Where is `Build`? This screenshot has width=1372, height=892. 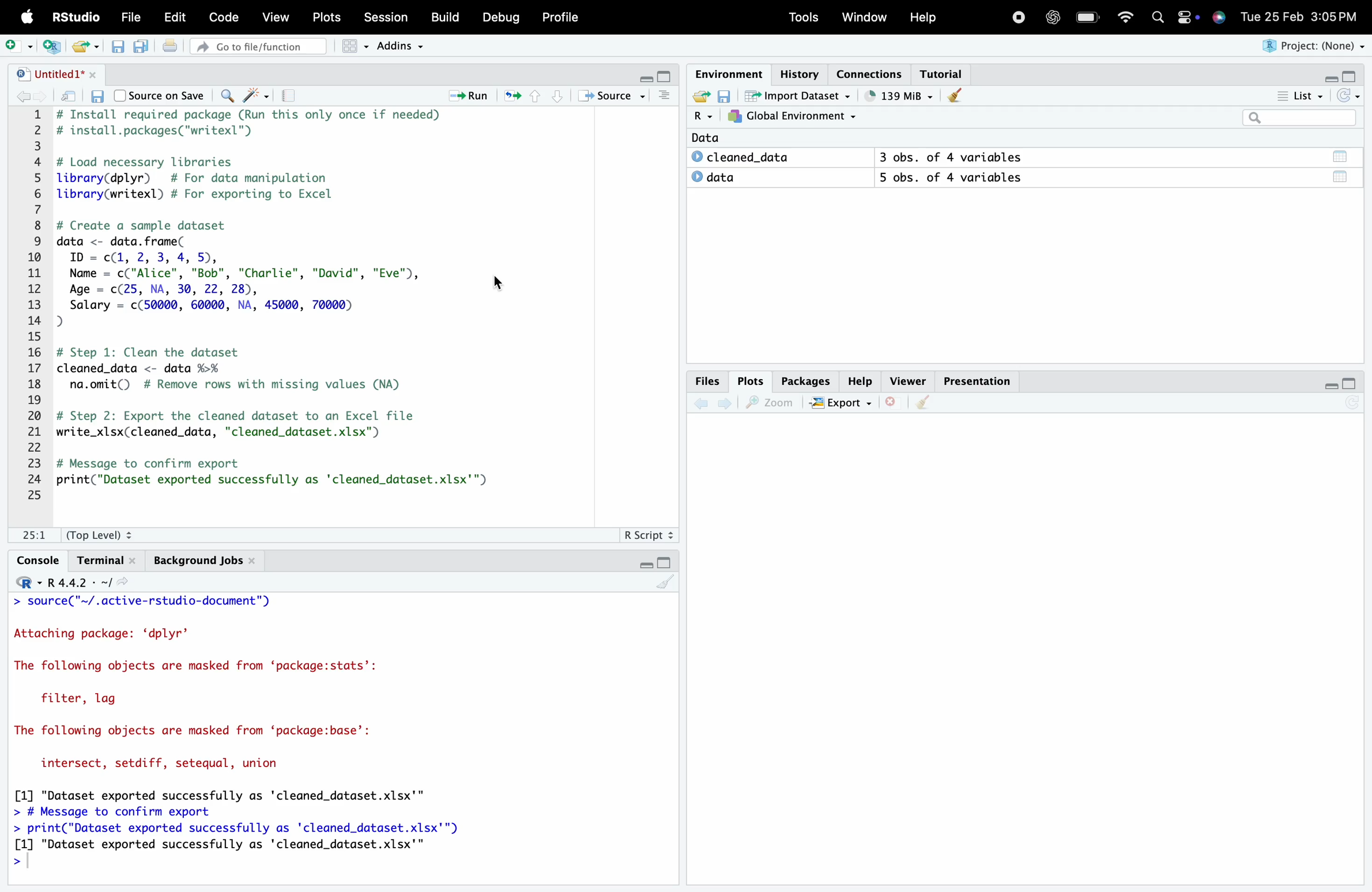 Build is located at coordinates (444, 18).